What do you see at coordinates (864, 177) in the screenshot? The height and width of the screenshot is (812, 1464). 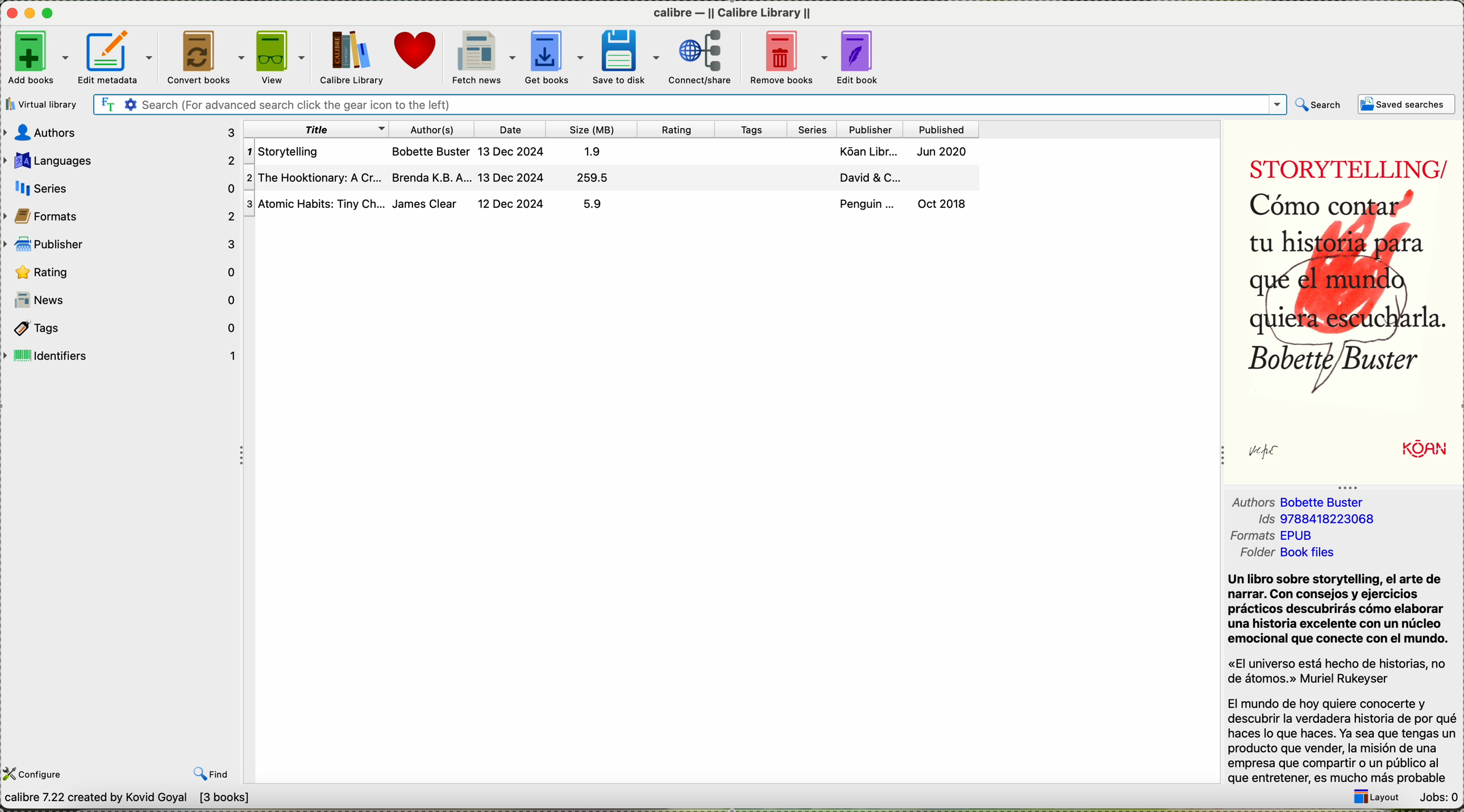 I see `David & C` at bounding box center [864, 177].